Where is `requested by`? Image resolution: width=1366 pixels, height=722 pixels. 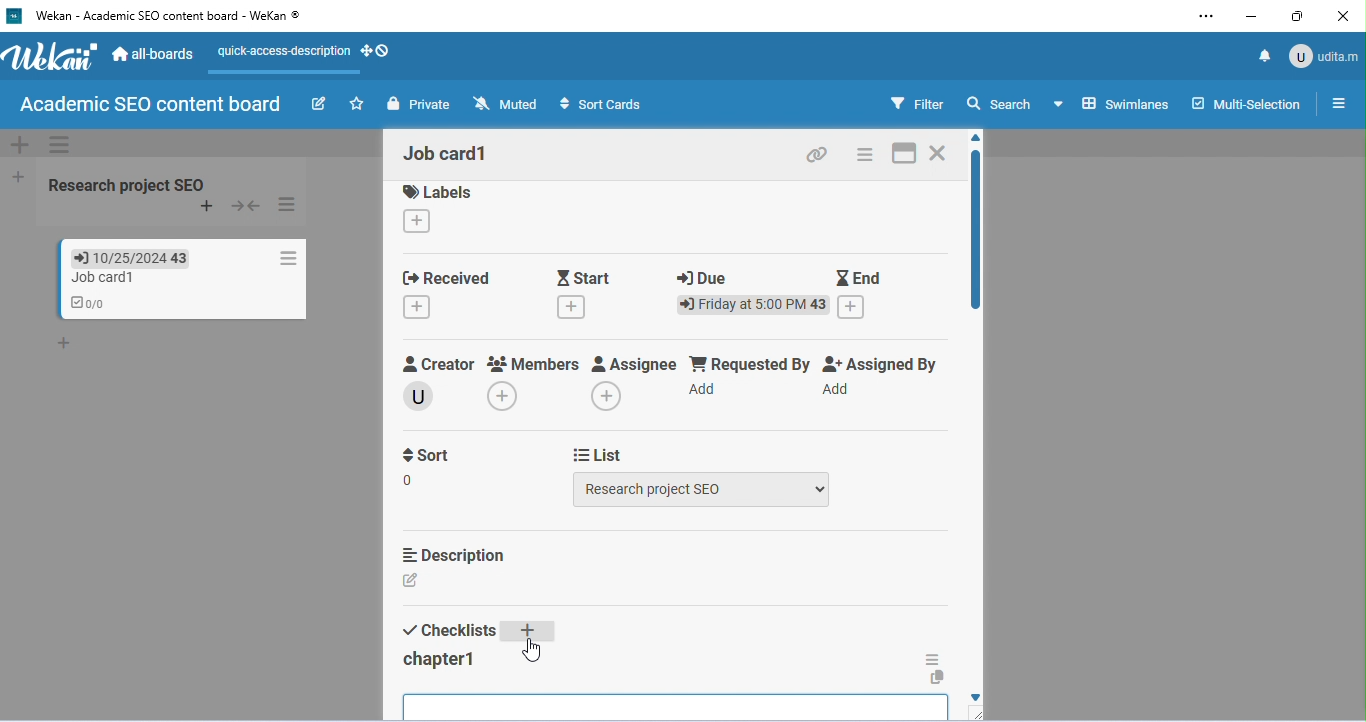
requested by is located at coordinates (750, 364).